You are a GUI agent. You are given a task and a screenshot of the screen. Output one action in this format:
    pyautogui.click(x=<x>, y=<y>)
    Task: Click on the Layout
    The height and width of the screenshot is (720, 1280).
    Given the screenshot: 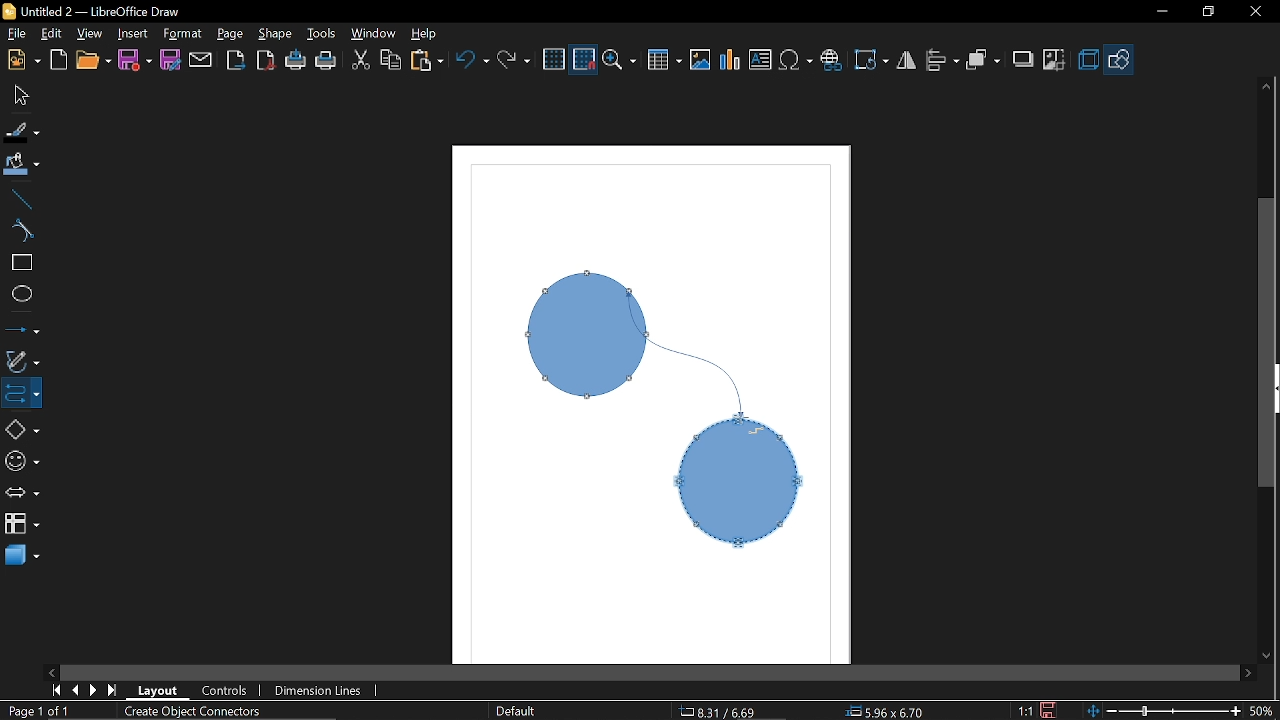 What is the action you would take?
    pyautogui.click(x=160, y=691)
    